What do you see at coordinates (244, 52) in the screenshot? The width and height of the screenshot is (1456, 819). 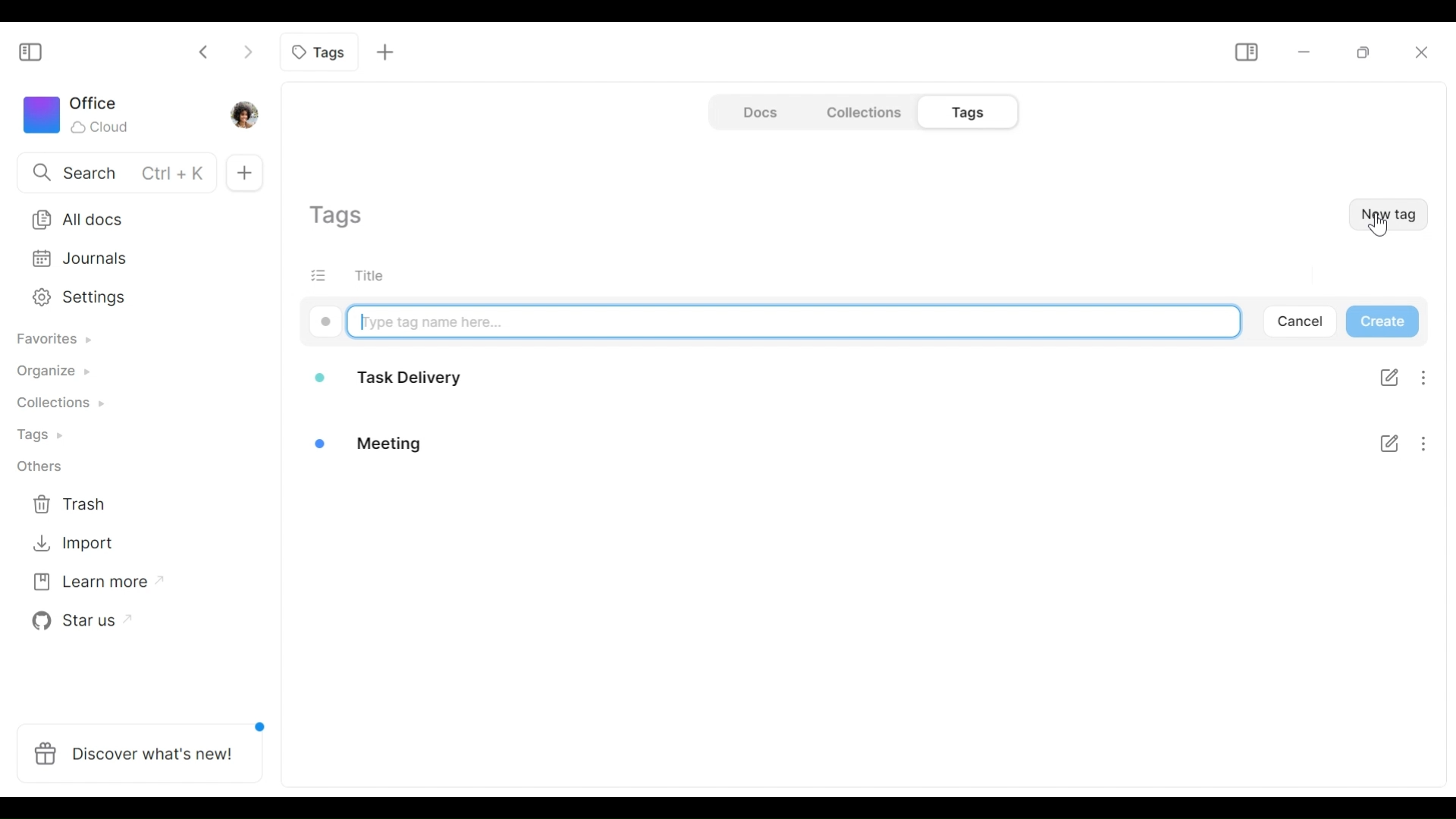 I see `Click to go forward` at bounding box center [244, 52].